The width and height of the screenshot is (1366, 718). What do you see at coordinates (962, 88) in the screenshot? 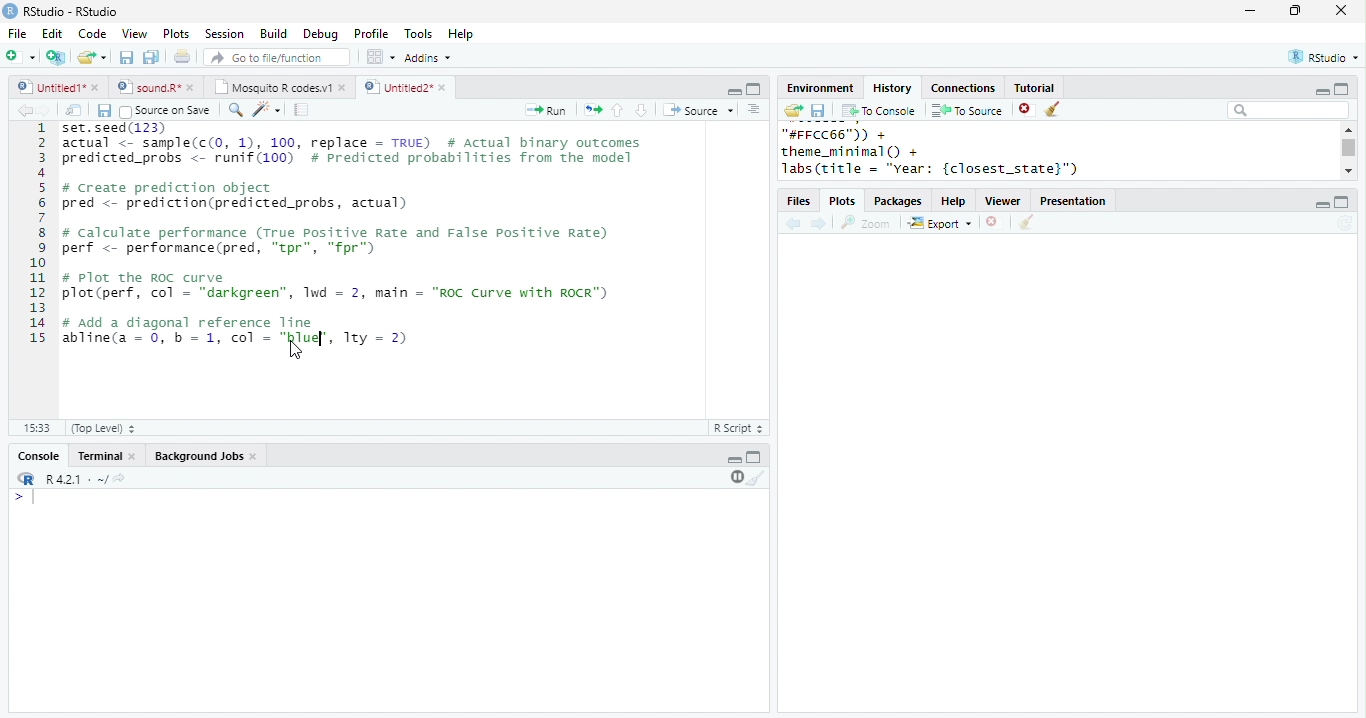
I see `Connections` at bounding box center [962, 88].